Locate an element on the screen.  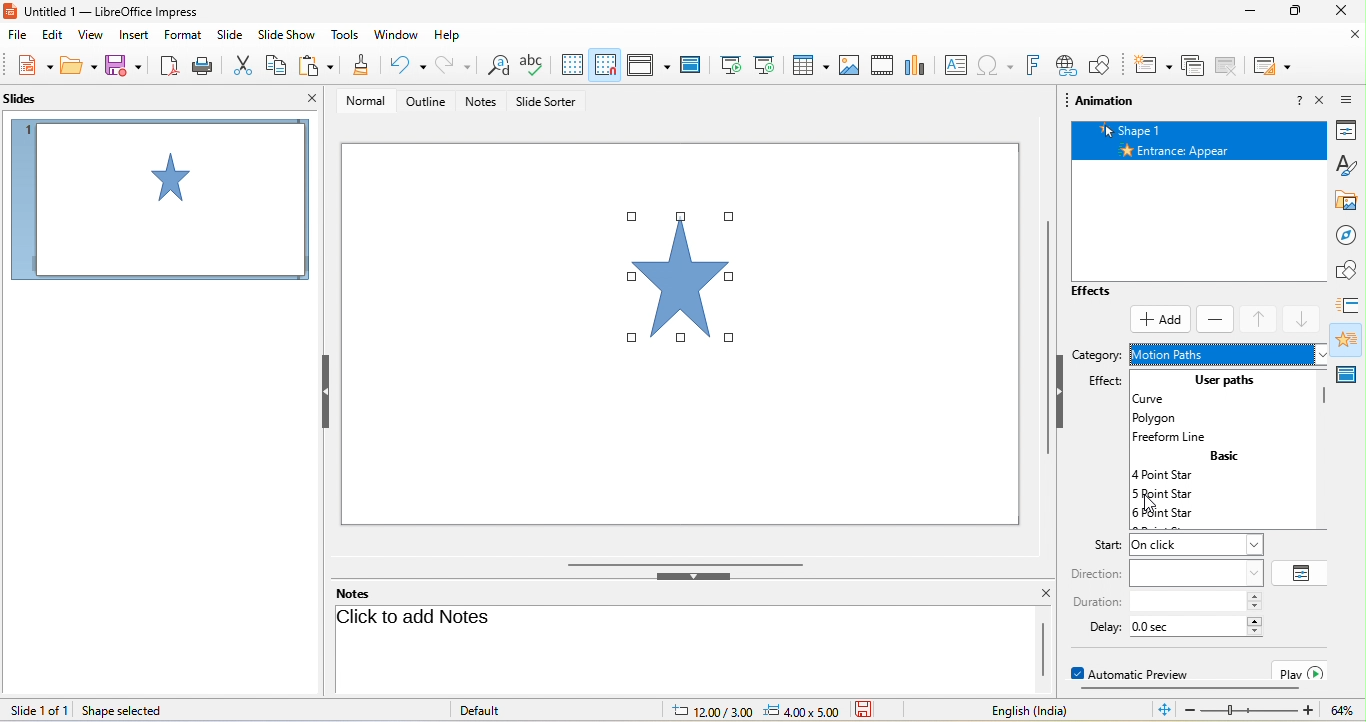
snap to grid is located at coordinates (605, 62).